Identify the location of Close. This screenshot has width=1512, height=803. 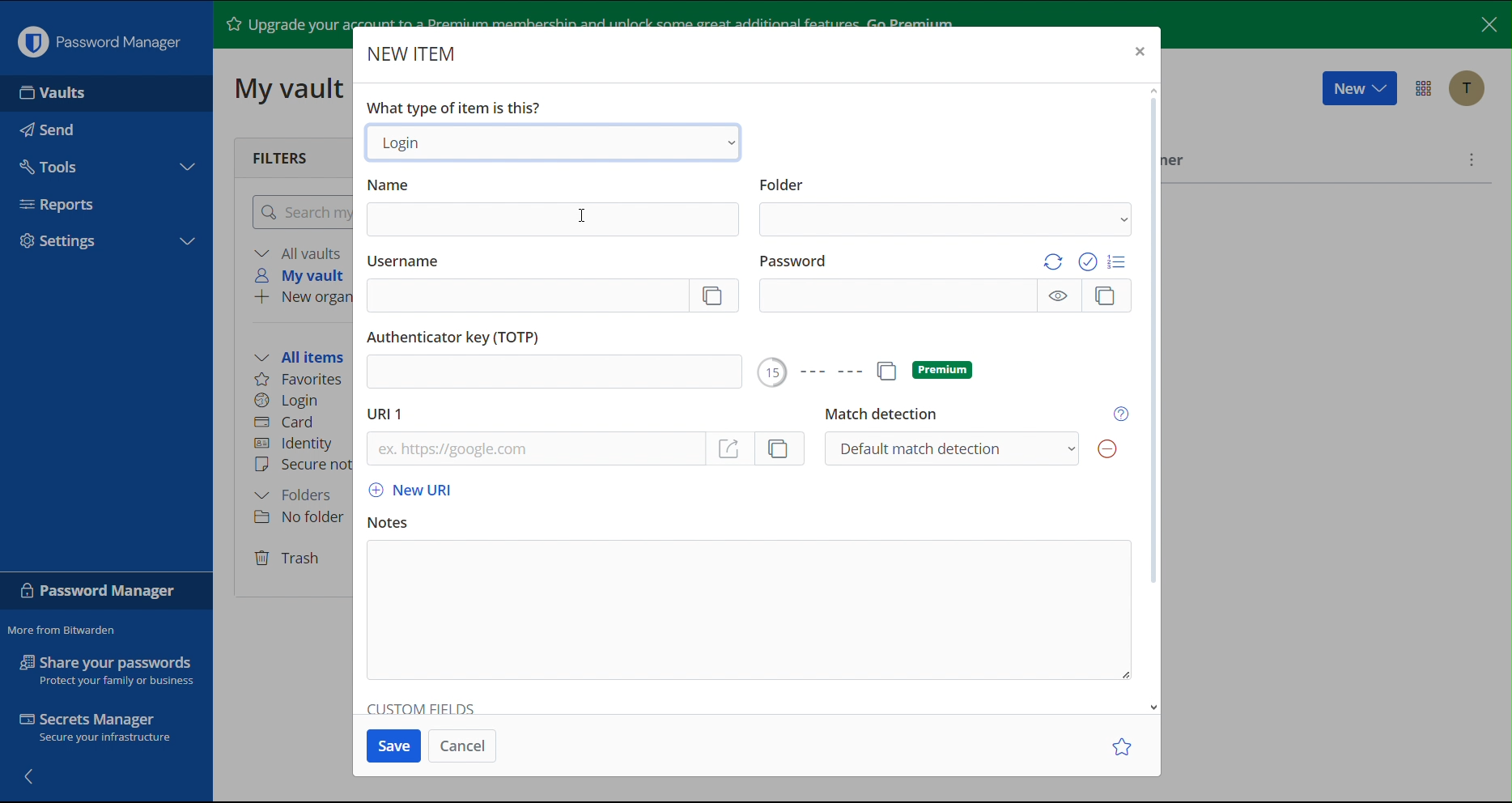
(1486, 23).